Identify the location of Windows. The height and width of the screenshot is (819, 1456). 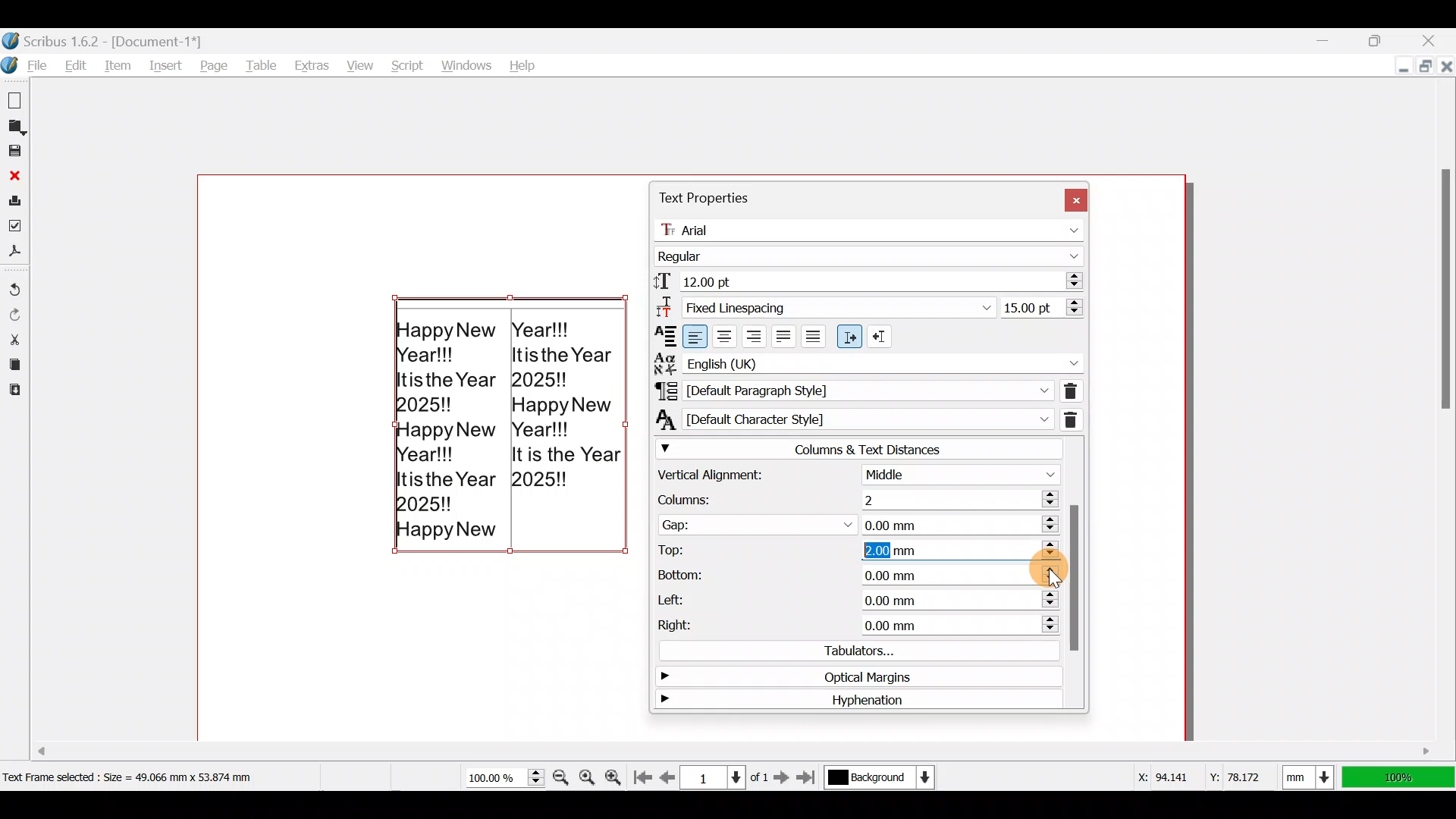
(466, 61).